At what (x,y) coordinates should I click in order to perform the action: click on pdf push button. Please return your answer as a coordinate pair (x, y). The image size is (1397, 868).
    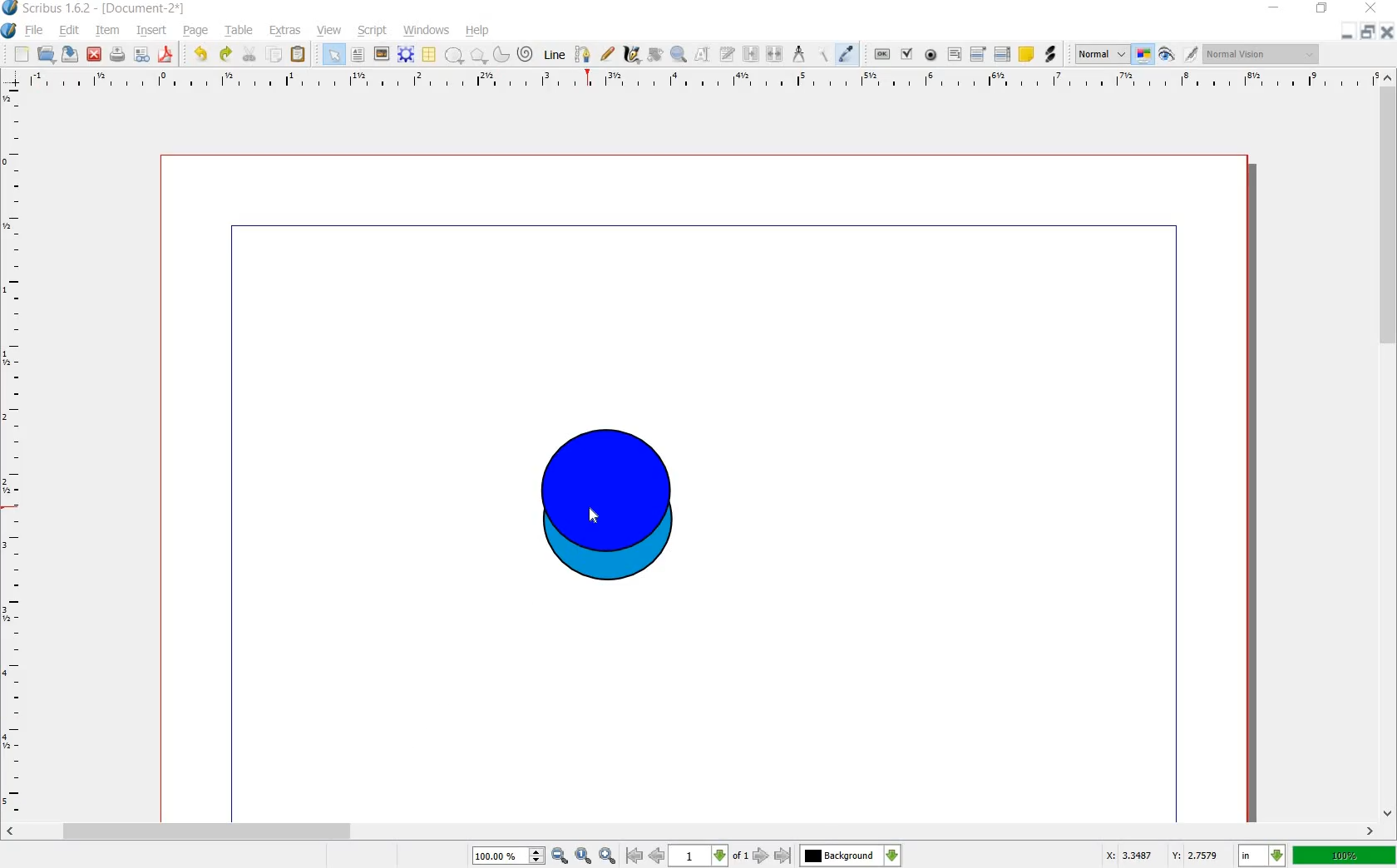
    Looking at the image, I should click on (881, 55).